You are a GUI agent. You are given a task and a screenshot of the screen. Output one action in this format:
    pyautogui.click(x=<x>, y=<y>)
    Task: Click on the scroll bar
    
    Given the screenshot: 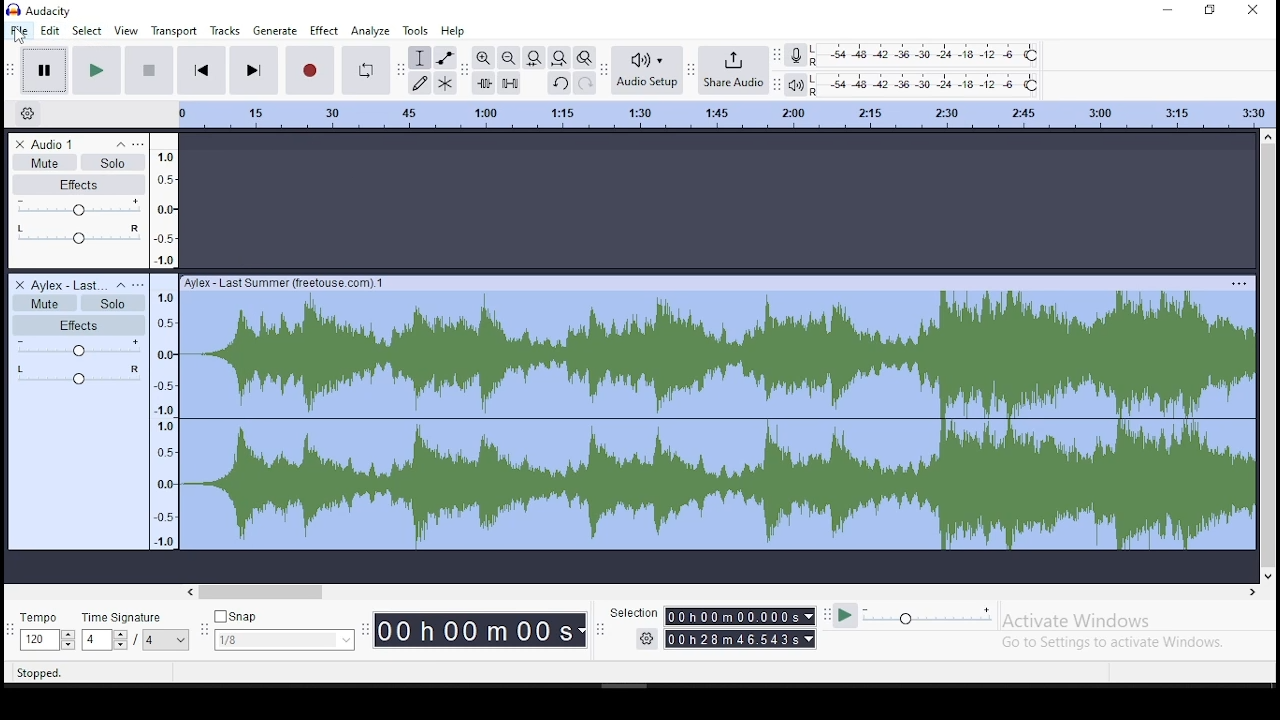 What is the action you would take?
    pyautogui.click(x=732, y=590)
    